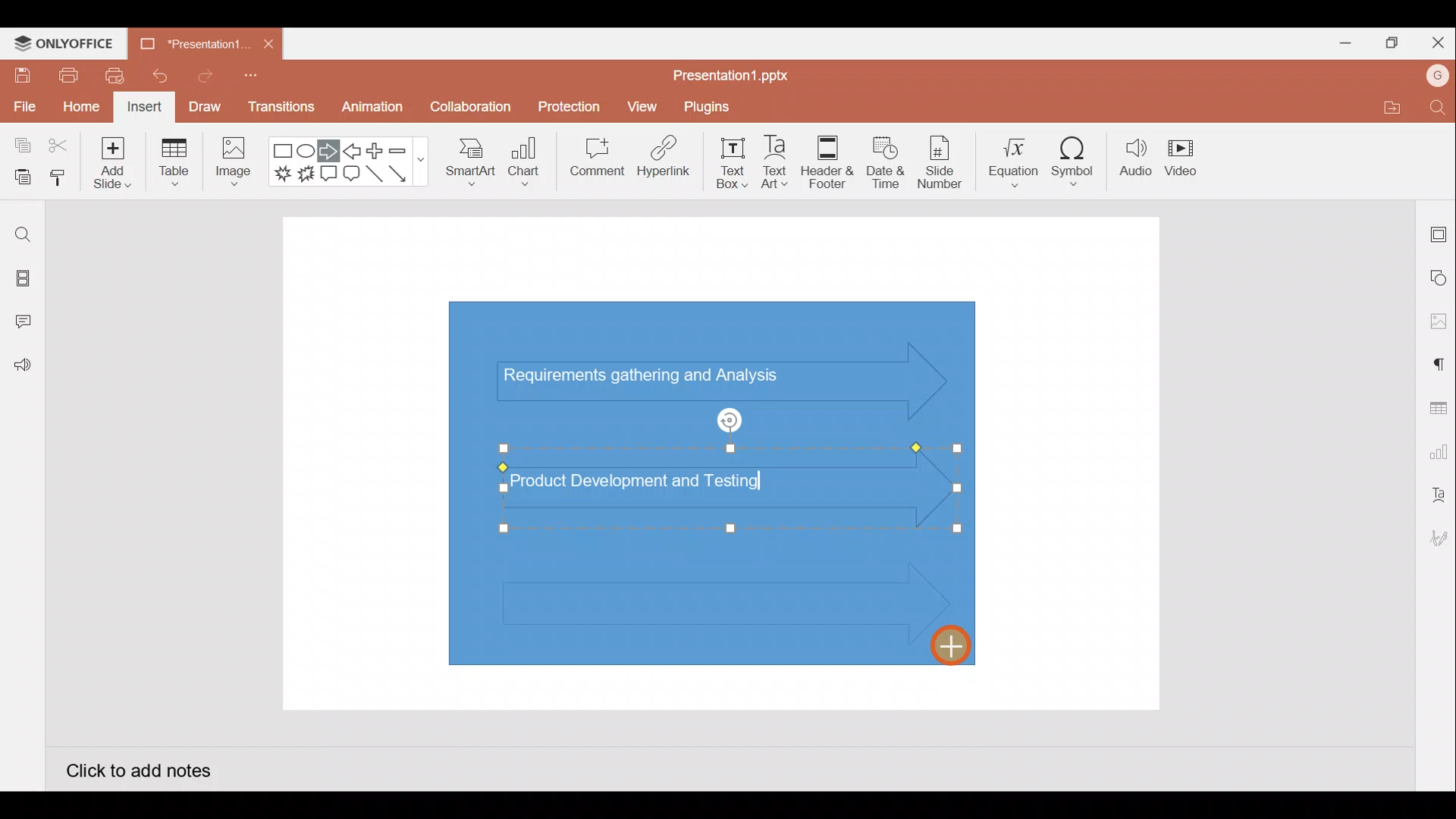 The width and height of the screenshot is (1456, 819). Describe the element at coordinates (651, 479) in the screenshot. I see `Text (Product Development and Testing) on 2nd inserted arrow` at that location.